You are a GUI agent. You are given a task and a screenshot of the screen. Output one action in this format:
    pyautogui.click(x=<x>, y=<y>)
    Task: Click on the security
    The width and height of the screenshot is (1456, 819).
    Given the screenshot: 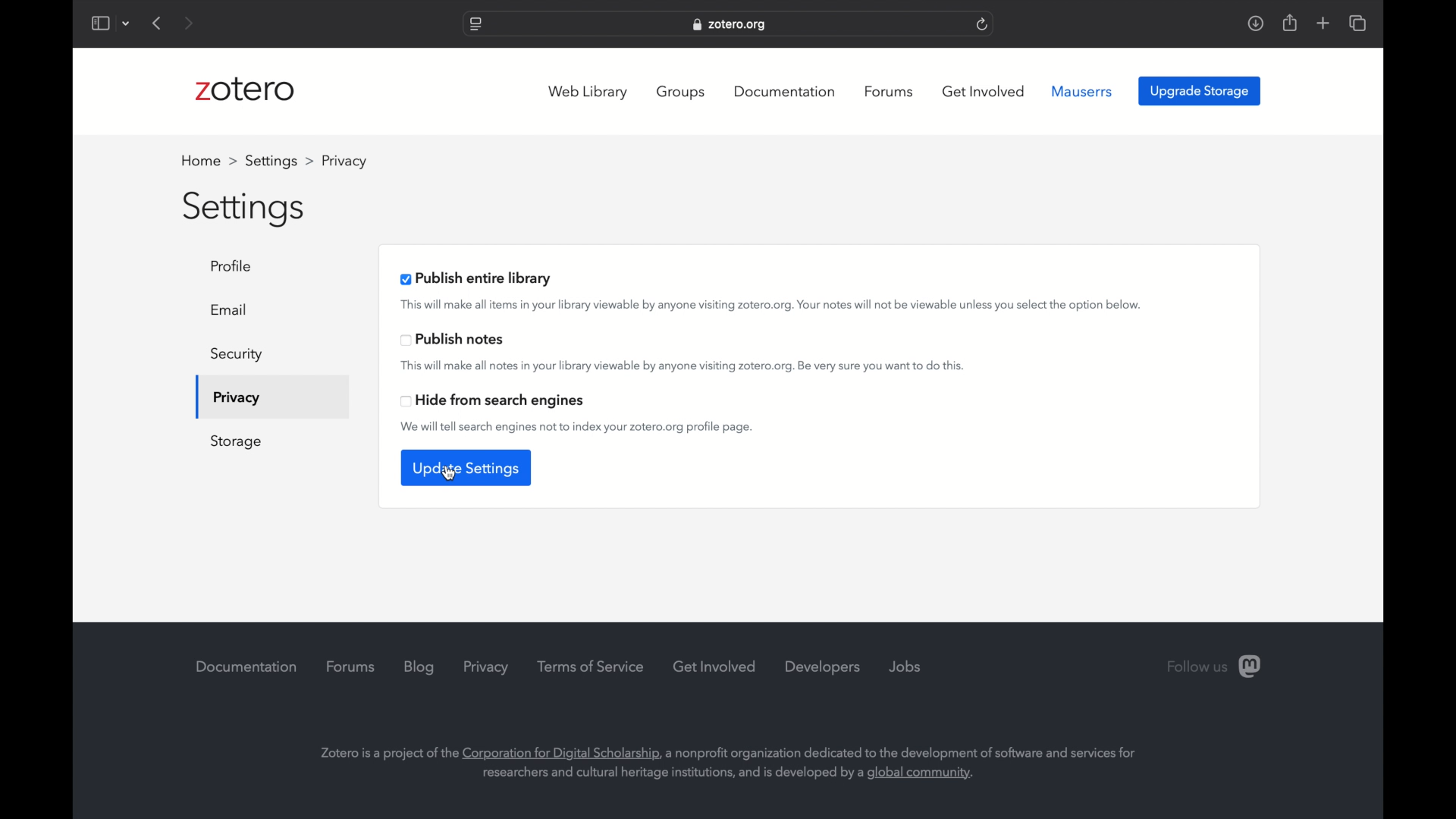 What is the action you would take?
    pyautogui.click(x=237, y=354)
    